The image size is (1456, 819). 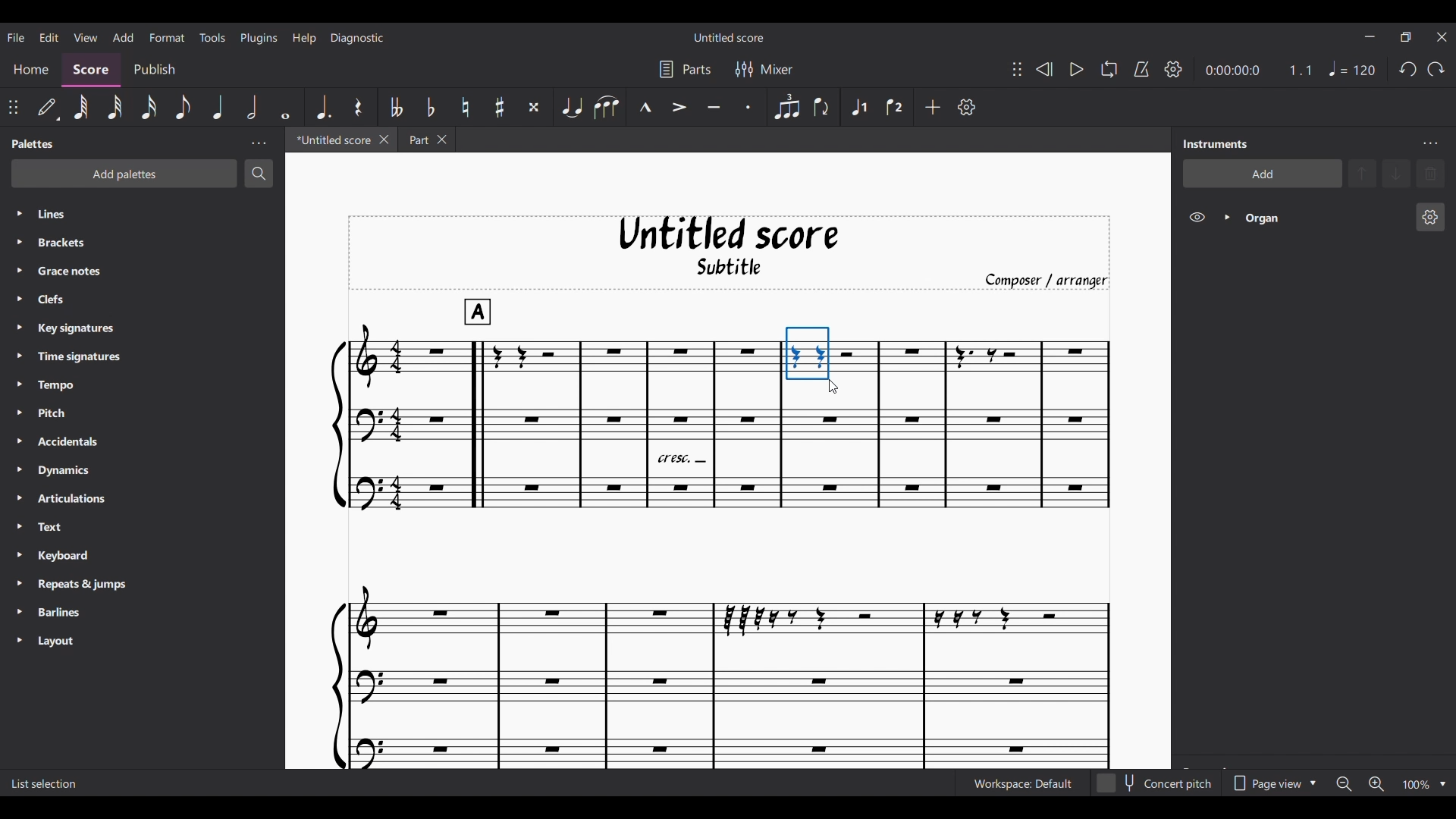 I want to click on Score name, so click(x=730, y=36).